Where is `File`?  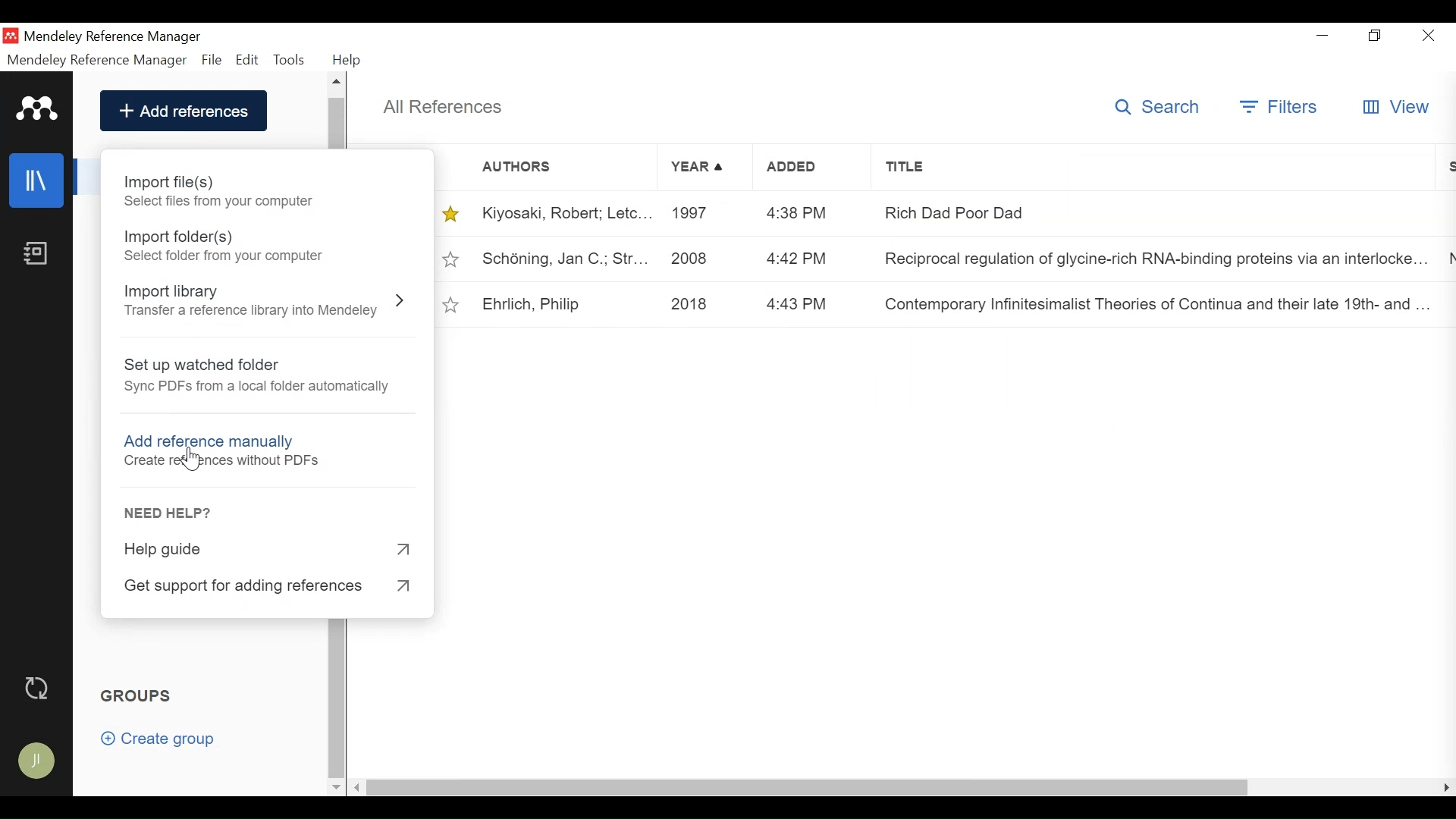 File is located at coordinates (212, 60).